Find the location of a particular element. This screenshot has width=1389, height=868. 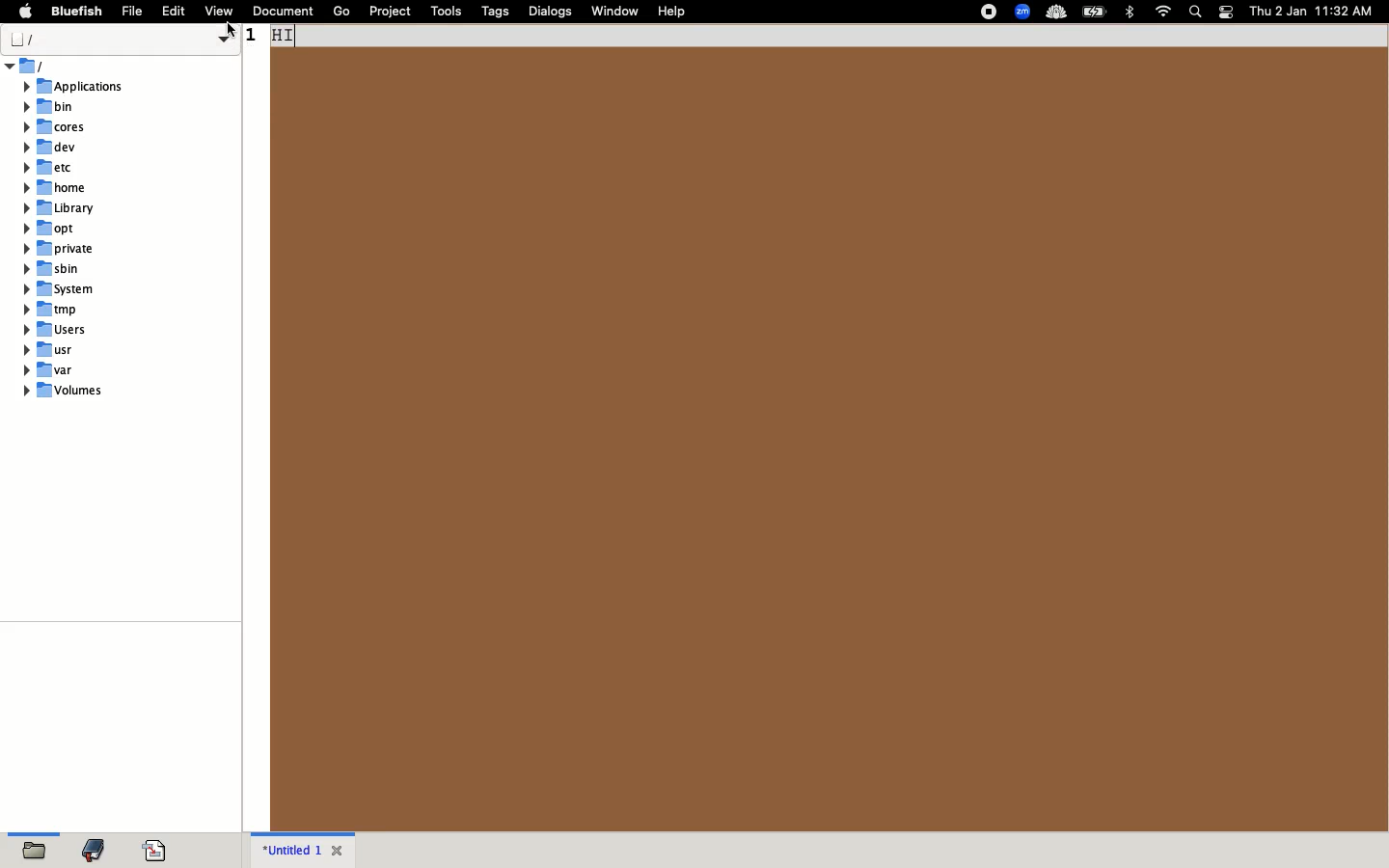

file is located at coordinates (135, 13).